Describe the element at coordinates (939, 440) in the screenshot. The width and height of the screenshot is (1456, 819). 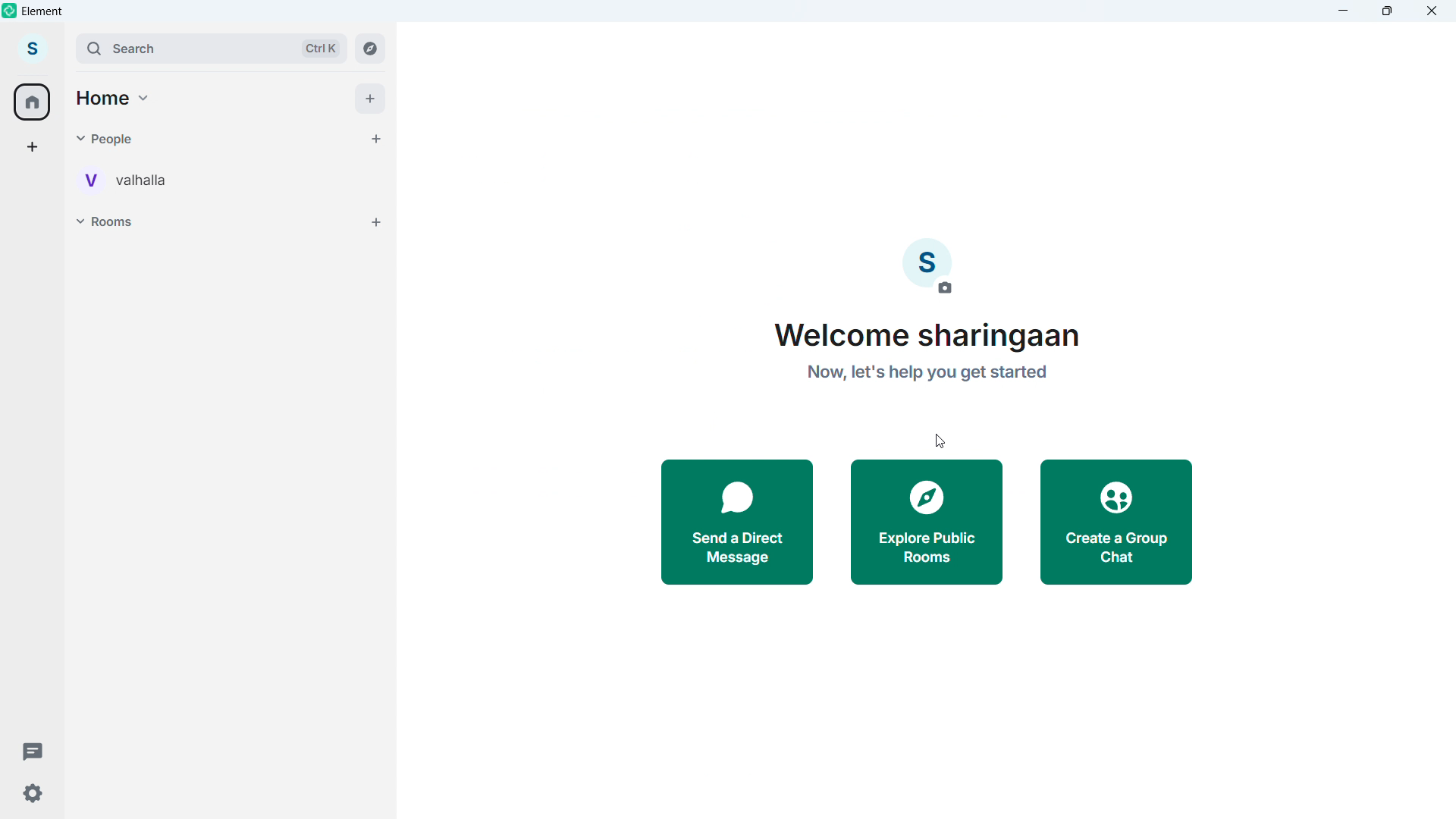
I see `cursor` at that location.